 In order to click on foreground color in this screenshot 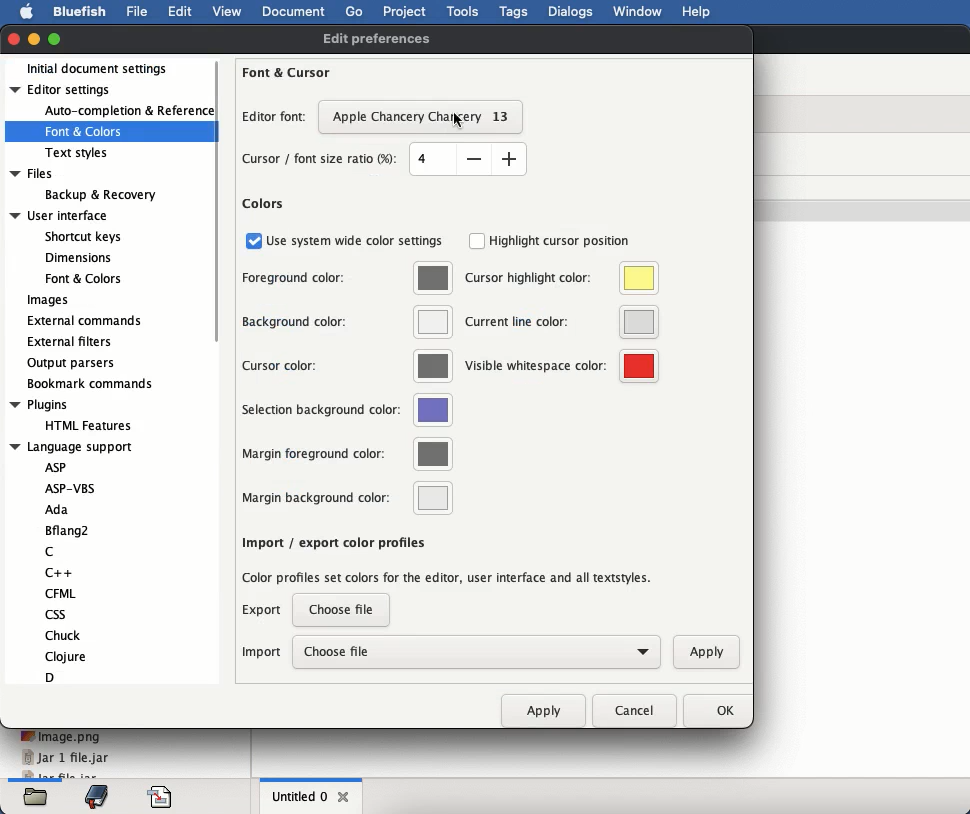, I will do `click(347, 279)`.